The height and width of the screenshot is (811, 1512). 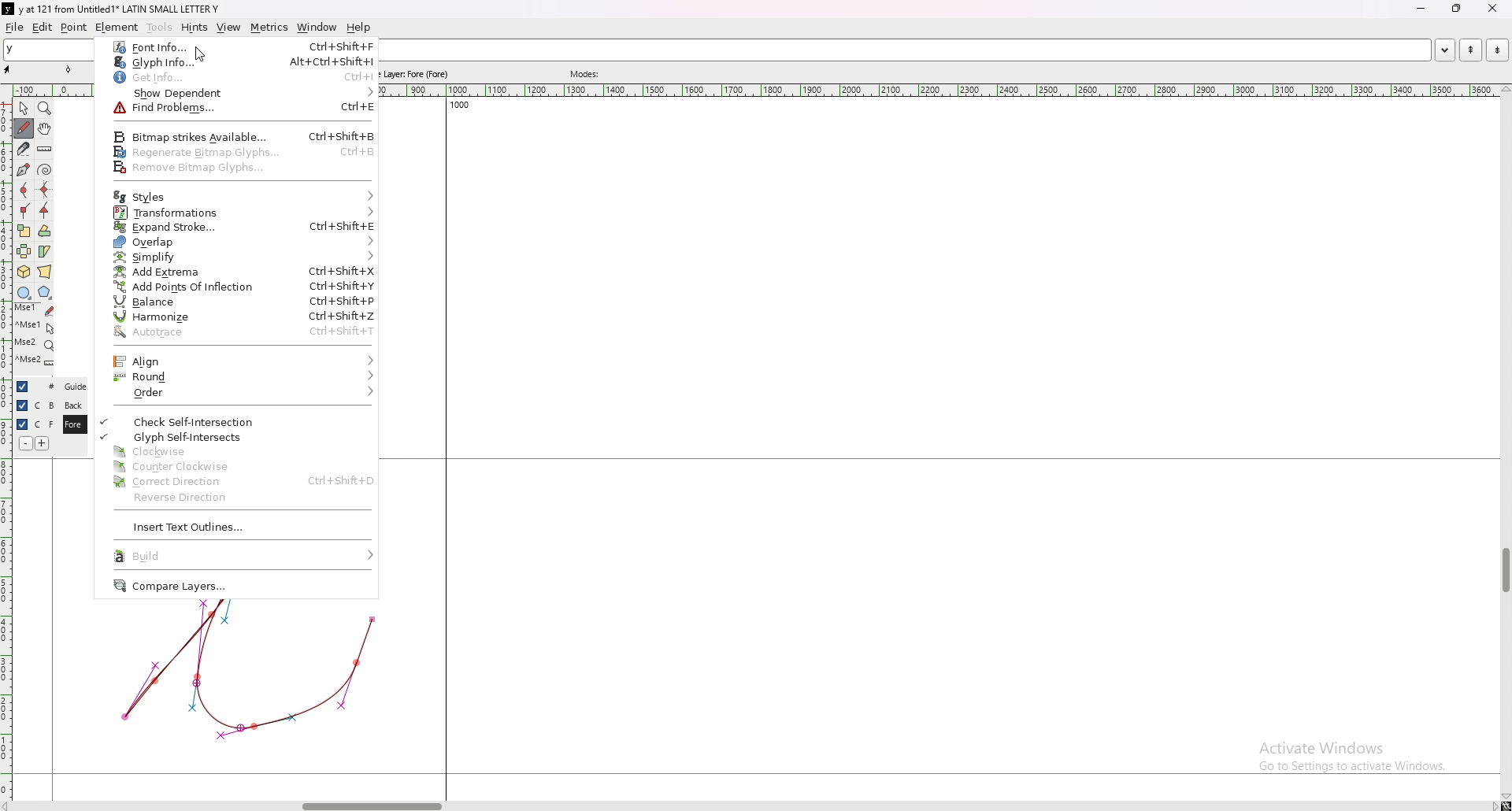 I want to click on edit, so click(x=43, y=28).